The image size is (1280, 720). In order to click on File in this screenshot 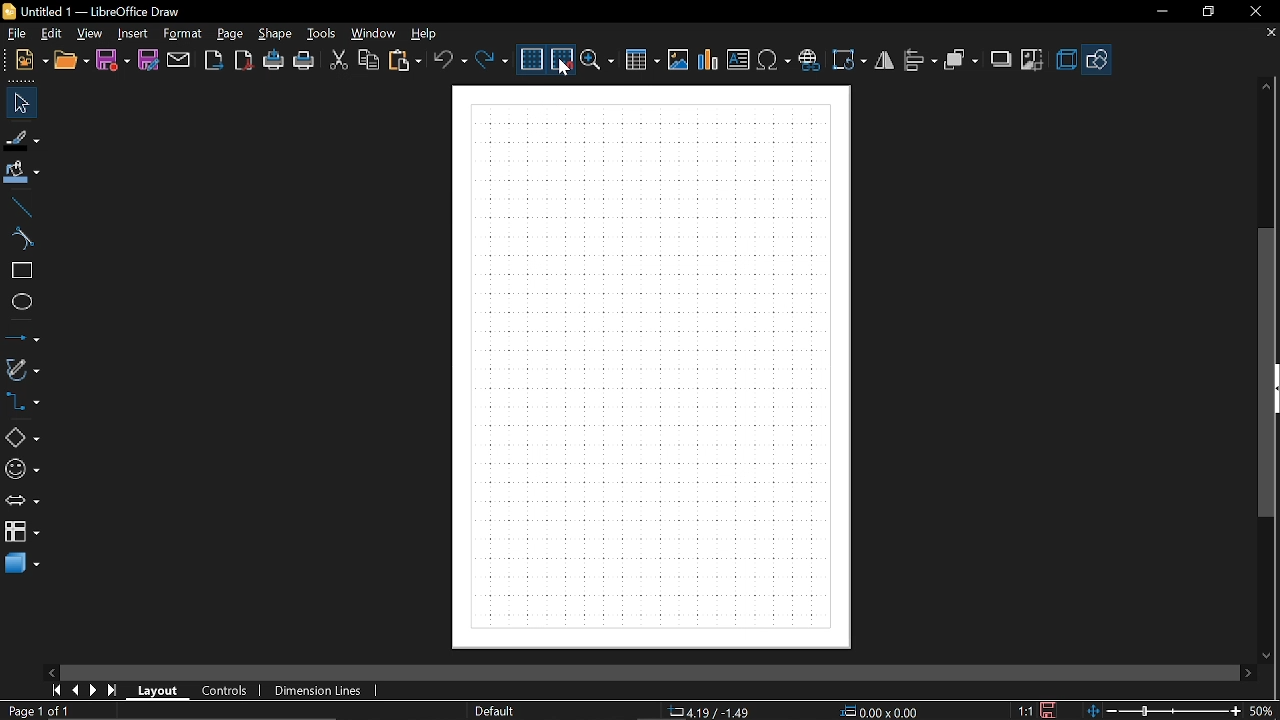, I will do `click(18, 35)`.